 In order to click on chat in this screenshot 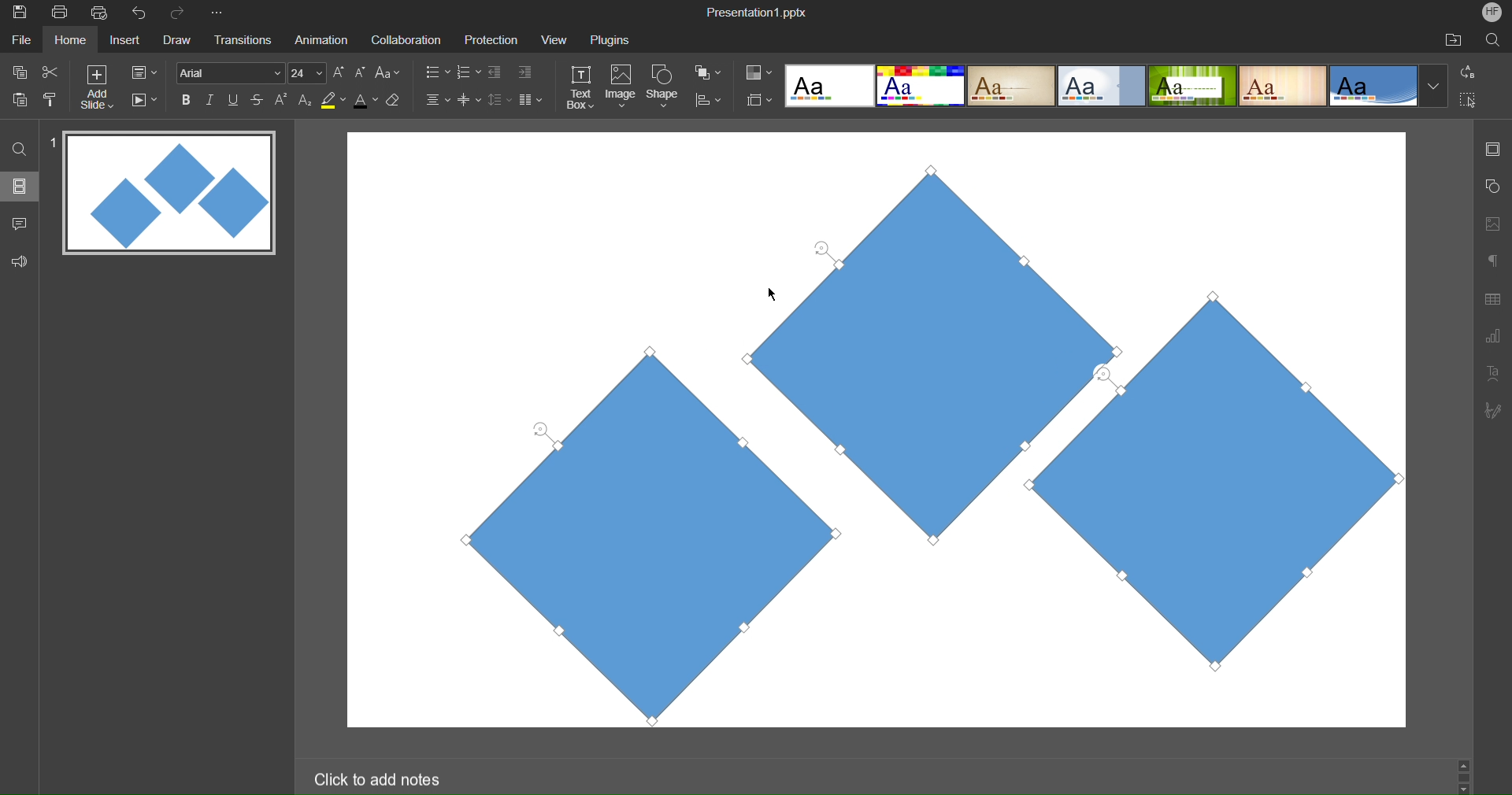, I will do `click(21, 221)`.